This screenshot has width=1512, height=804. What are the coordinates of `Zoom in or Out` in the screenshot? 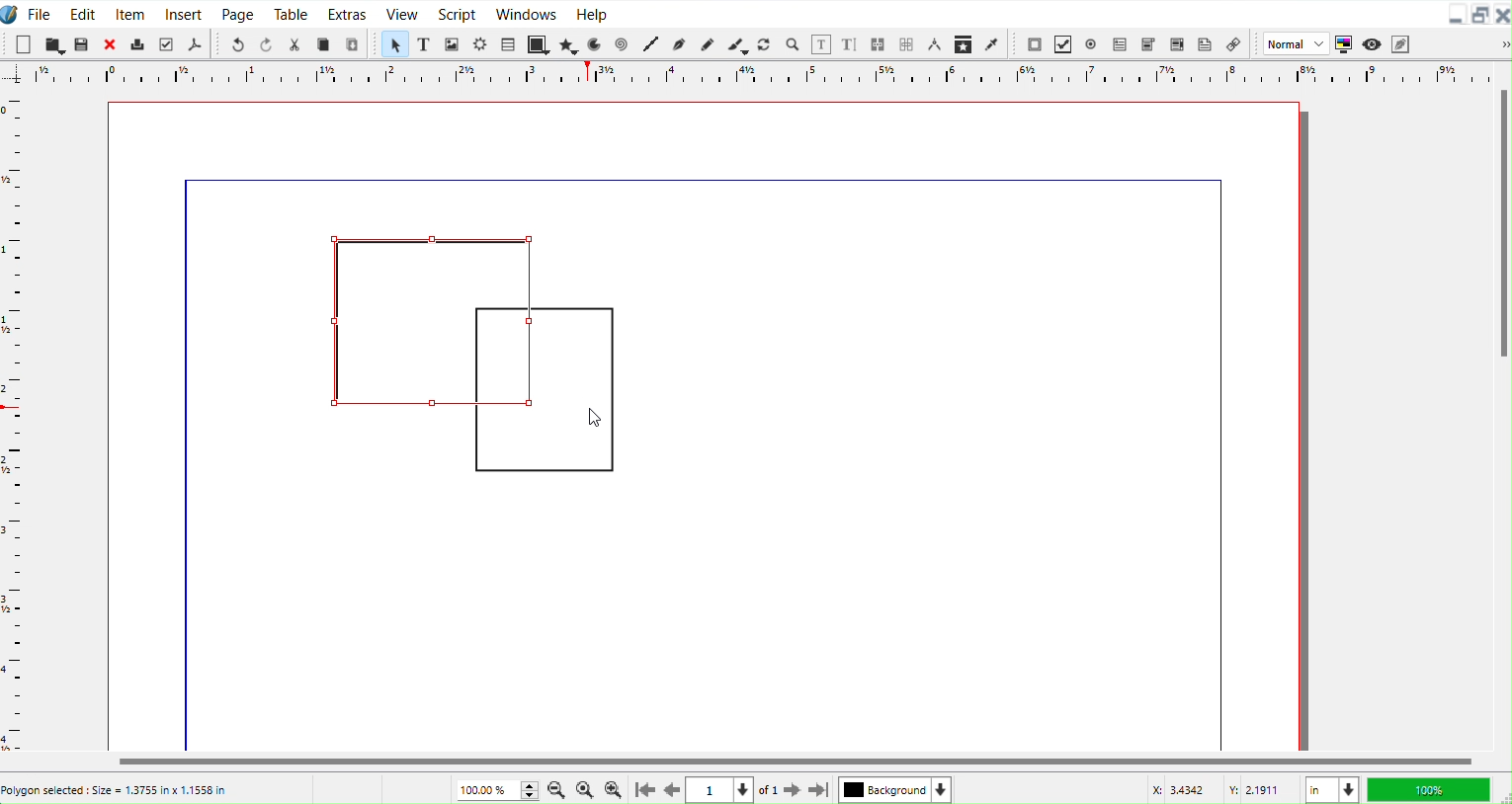 It's located at (792, 44).